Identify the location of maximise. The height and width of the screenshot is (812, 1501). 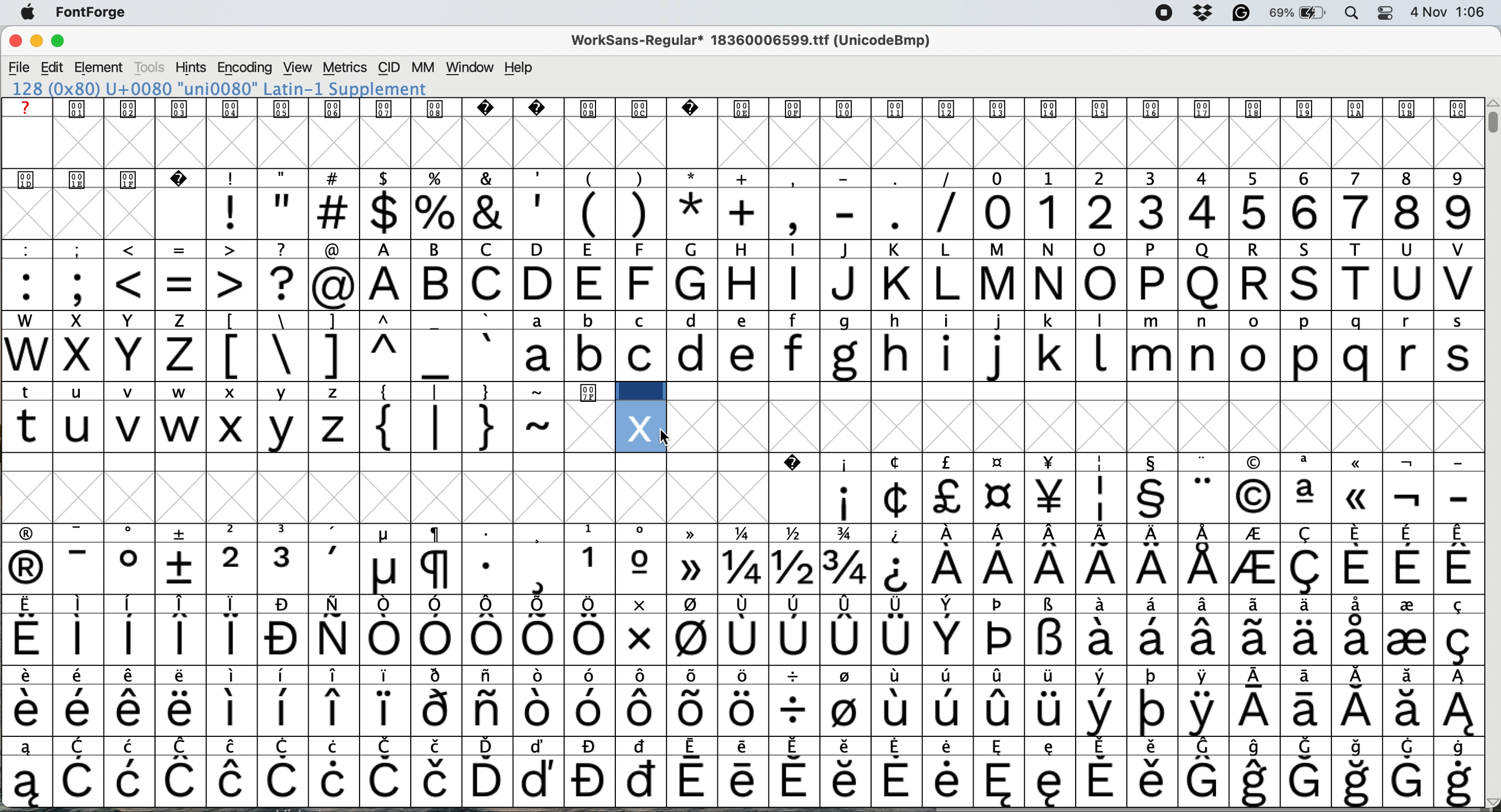
(65, 43).